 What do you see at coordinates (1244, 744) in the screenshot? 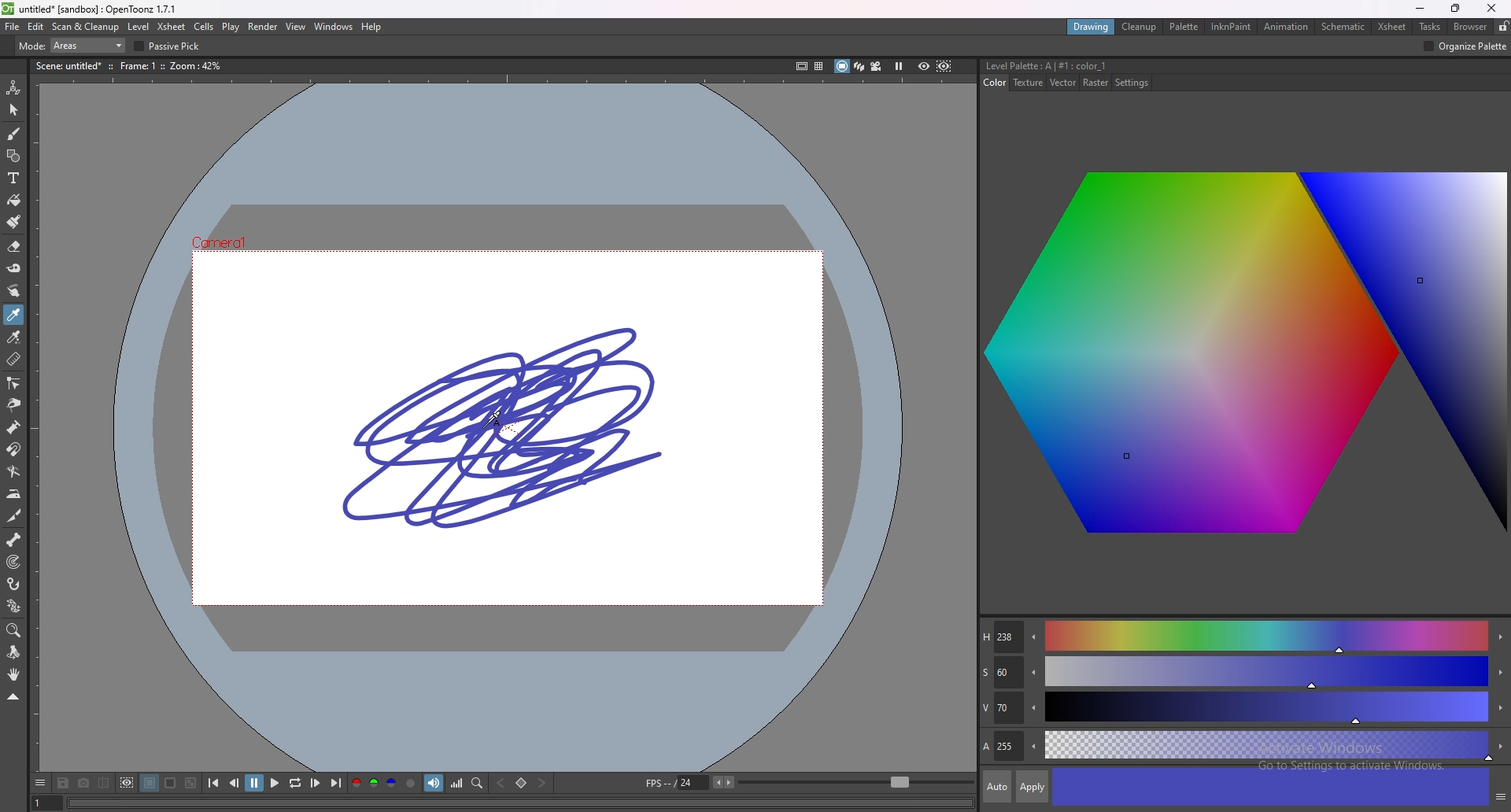
I see `alpha` at bounding box center [1244, 744].